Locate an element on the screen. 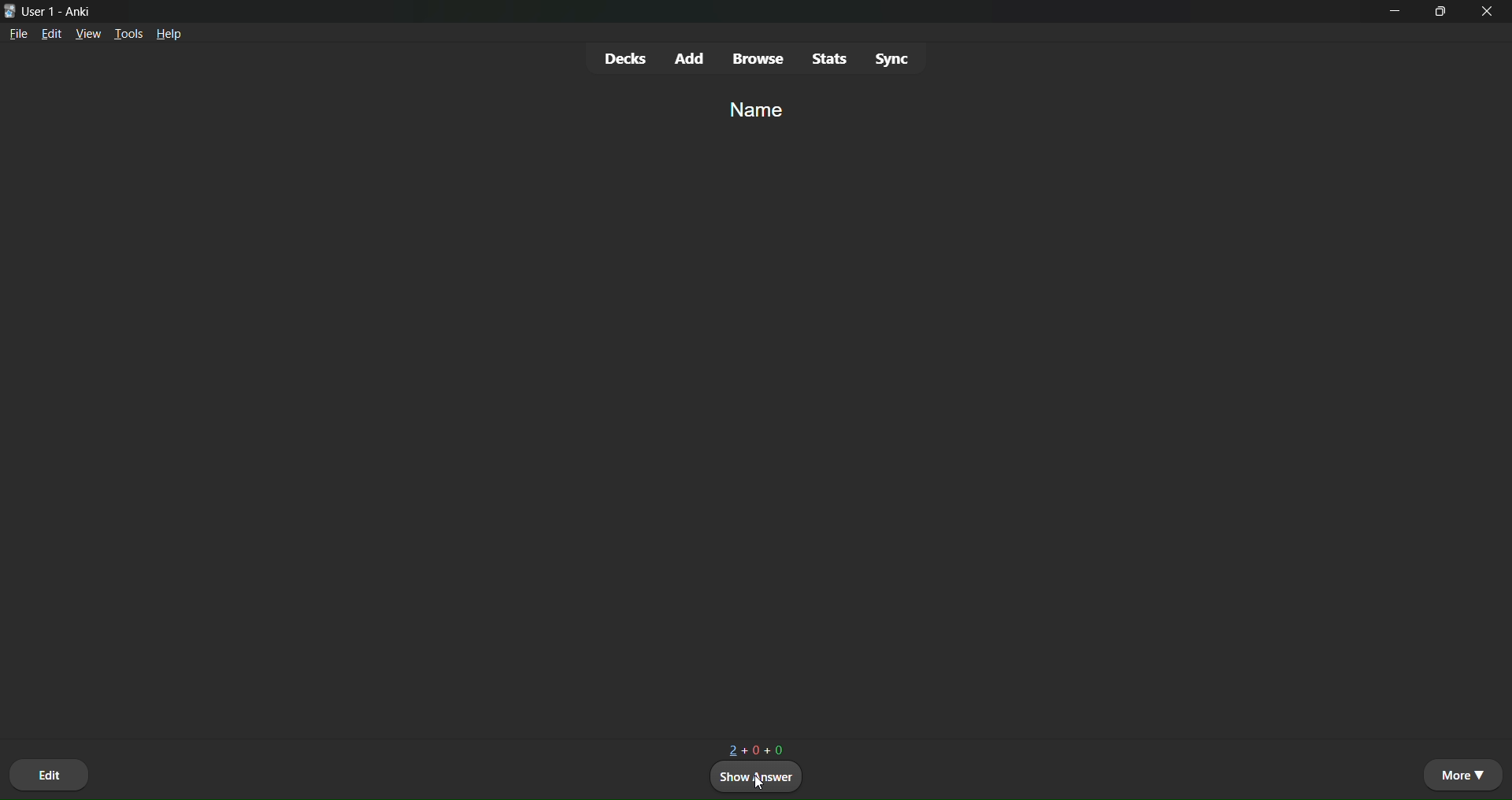  view is located at coordinates (88, 35).